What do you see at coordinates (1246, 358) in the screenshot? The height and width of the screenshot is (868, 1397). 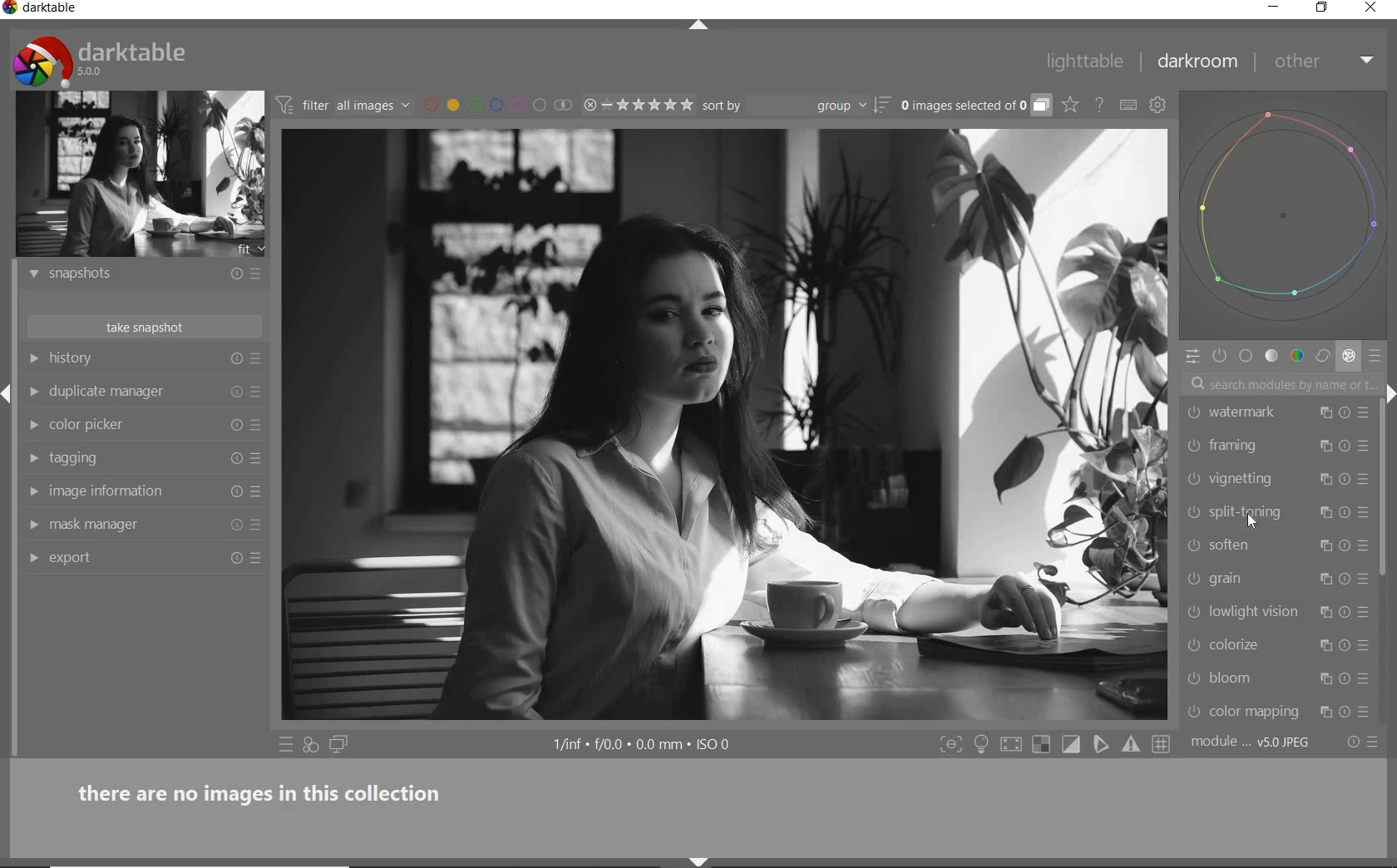 I see `base` at bounding box center [1246, 358].